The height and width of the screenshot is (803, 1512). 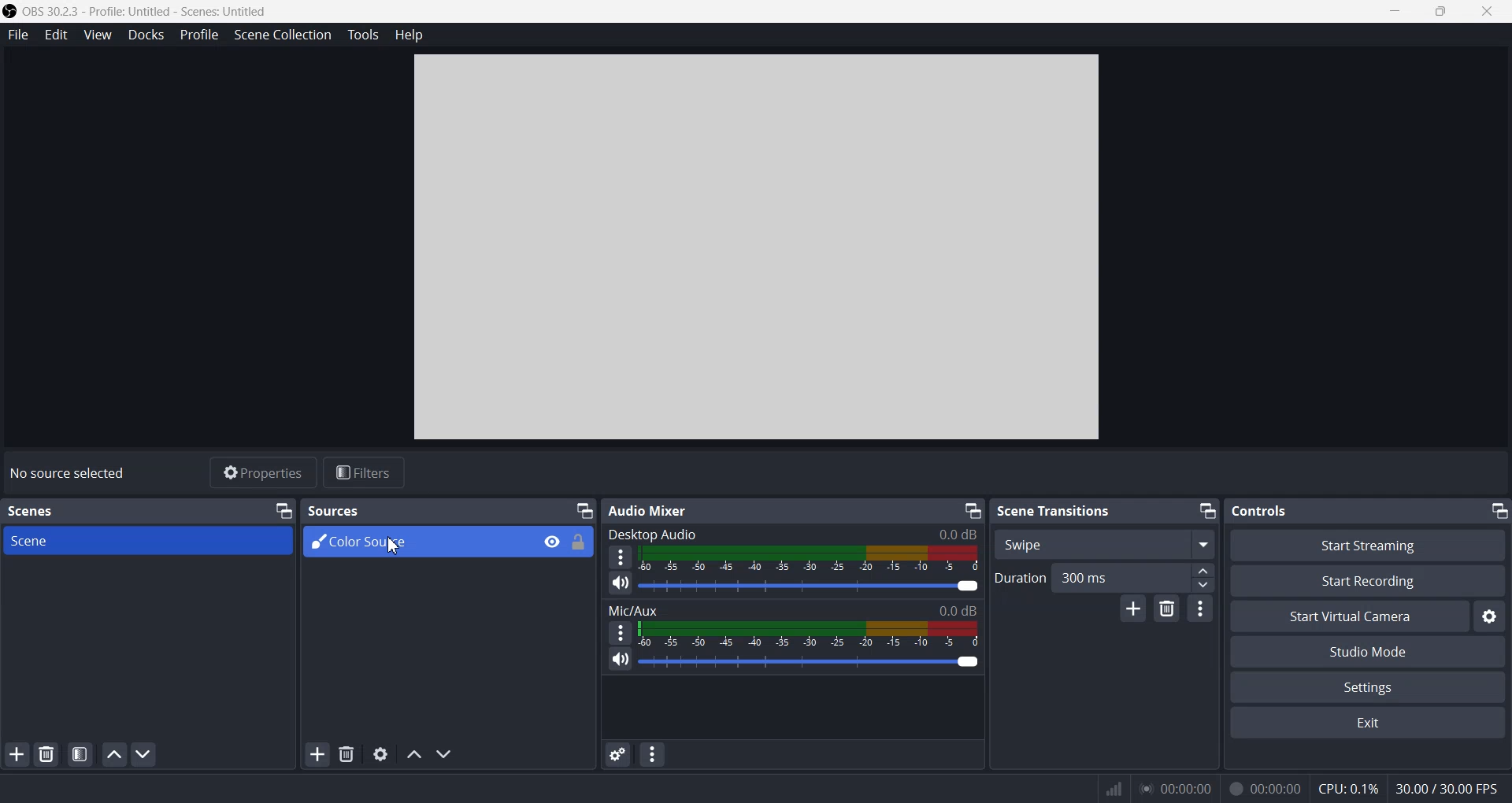 What do you see at coordinates (1349, 616) in the screenshot?
I see `Start Virtual Camera` at bounding box center [1349, 616].